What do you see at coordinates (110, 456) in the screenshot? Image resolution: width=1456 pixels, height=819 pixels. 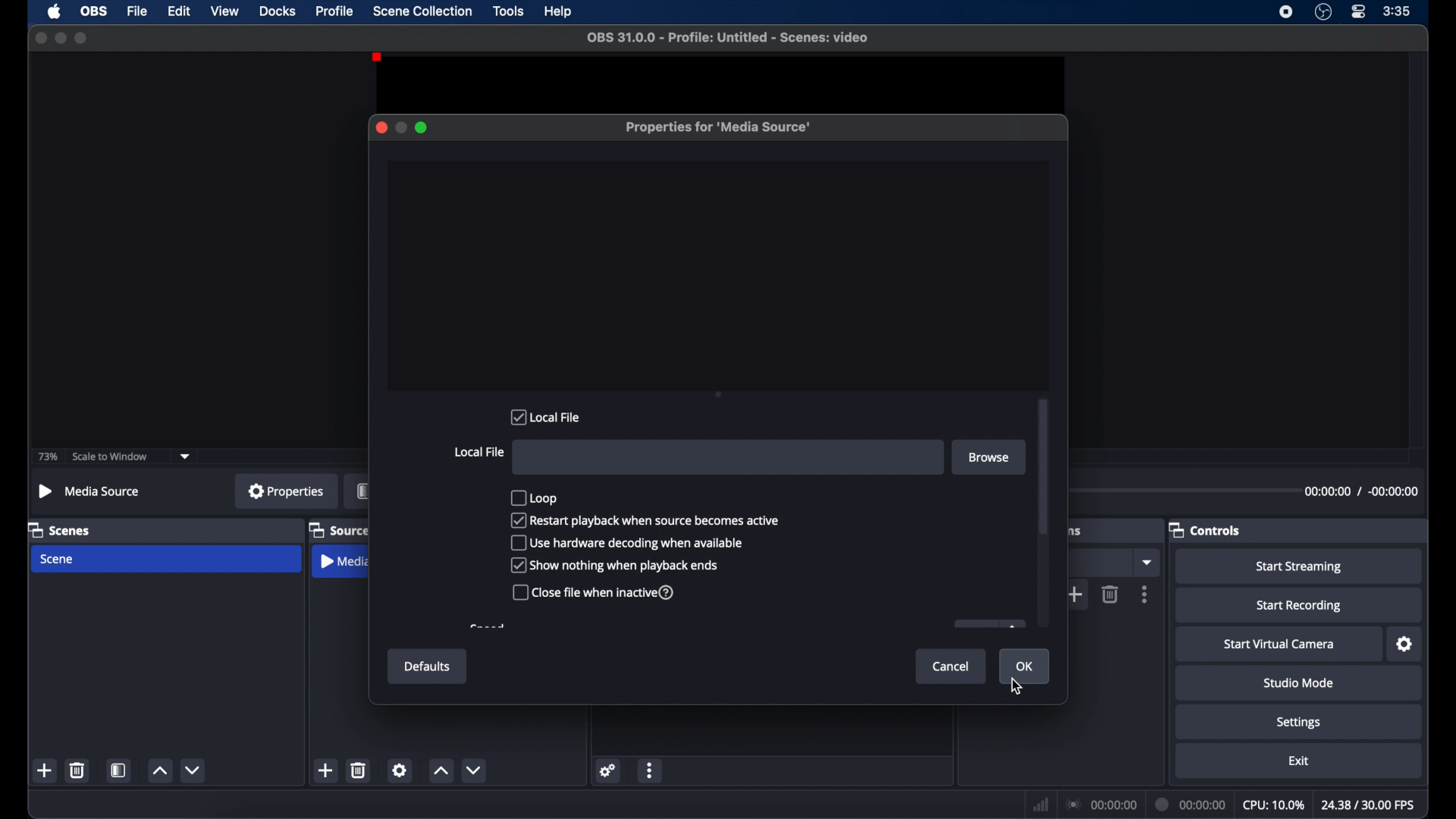 I see `scale to window` at bounding box center [110, 456].